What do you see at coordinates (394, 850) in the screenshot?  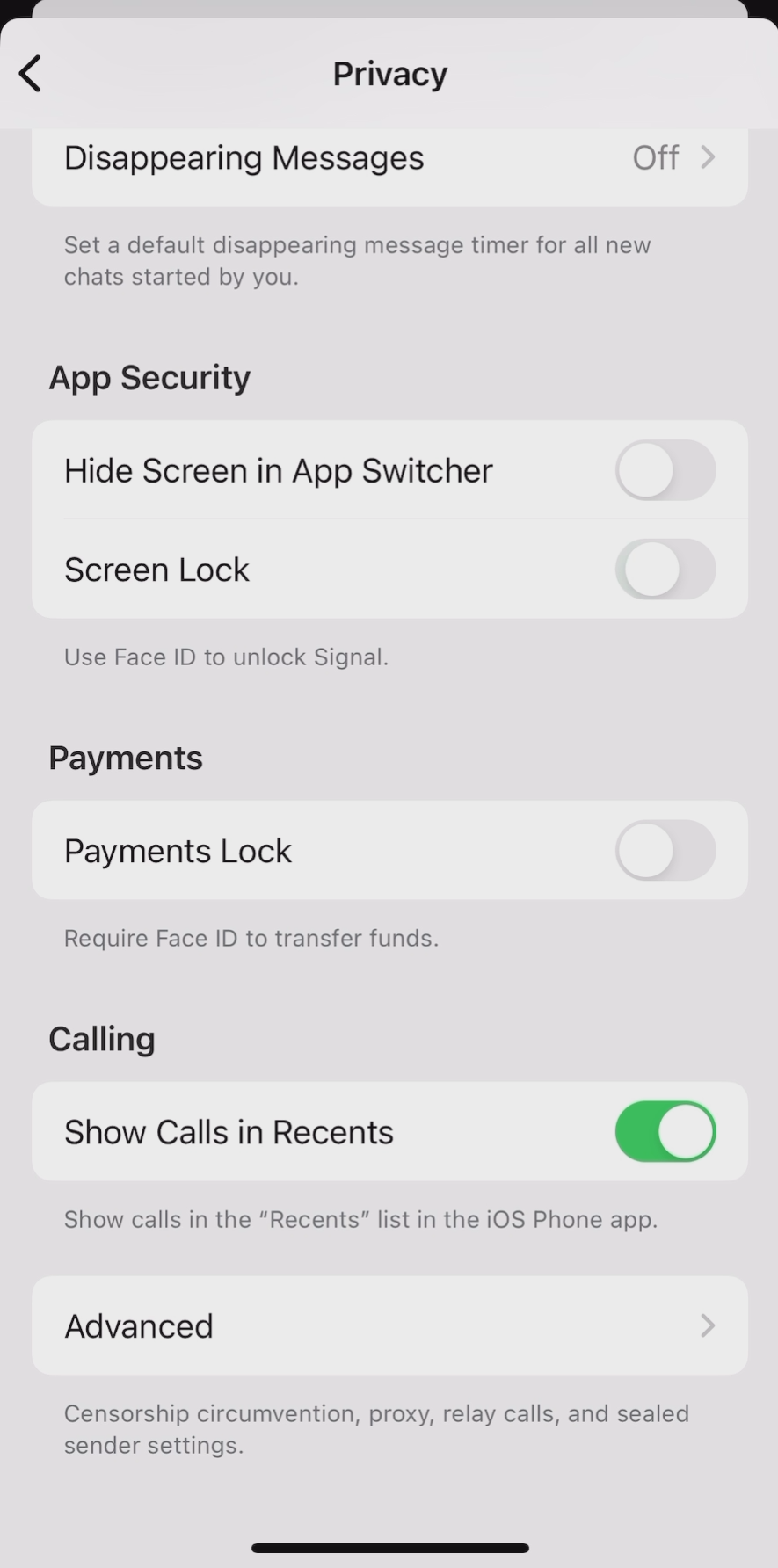 I see `Payments Lock` at bounding box center [394, 850].